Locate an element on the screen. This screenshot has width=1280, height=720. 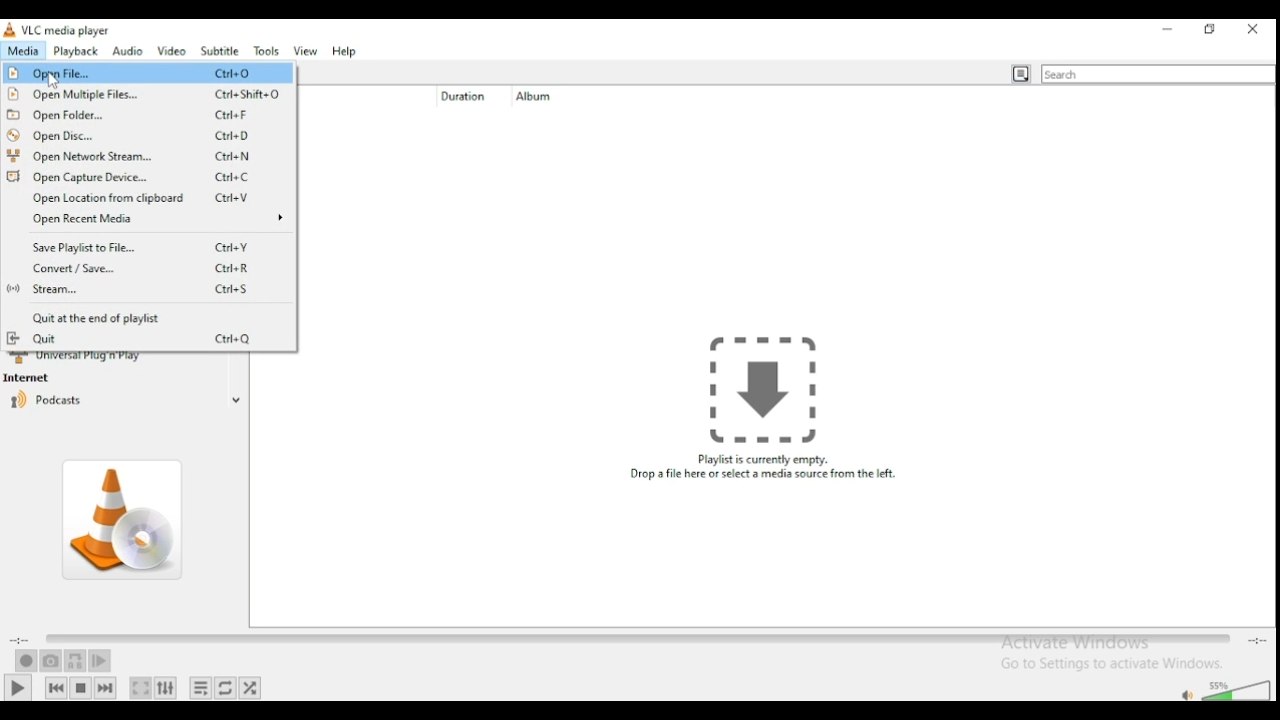
open recent media is located at coordinates (149, 219).